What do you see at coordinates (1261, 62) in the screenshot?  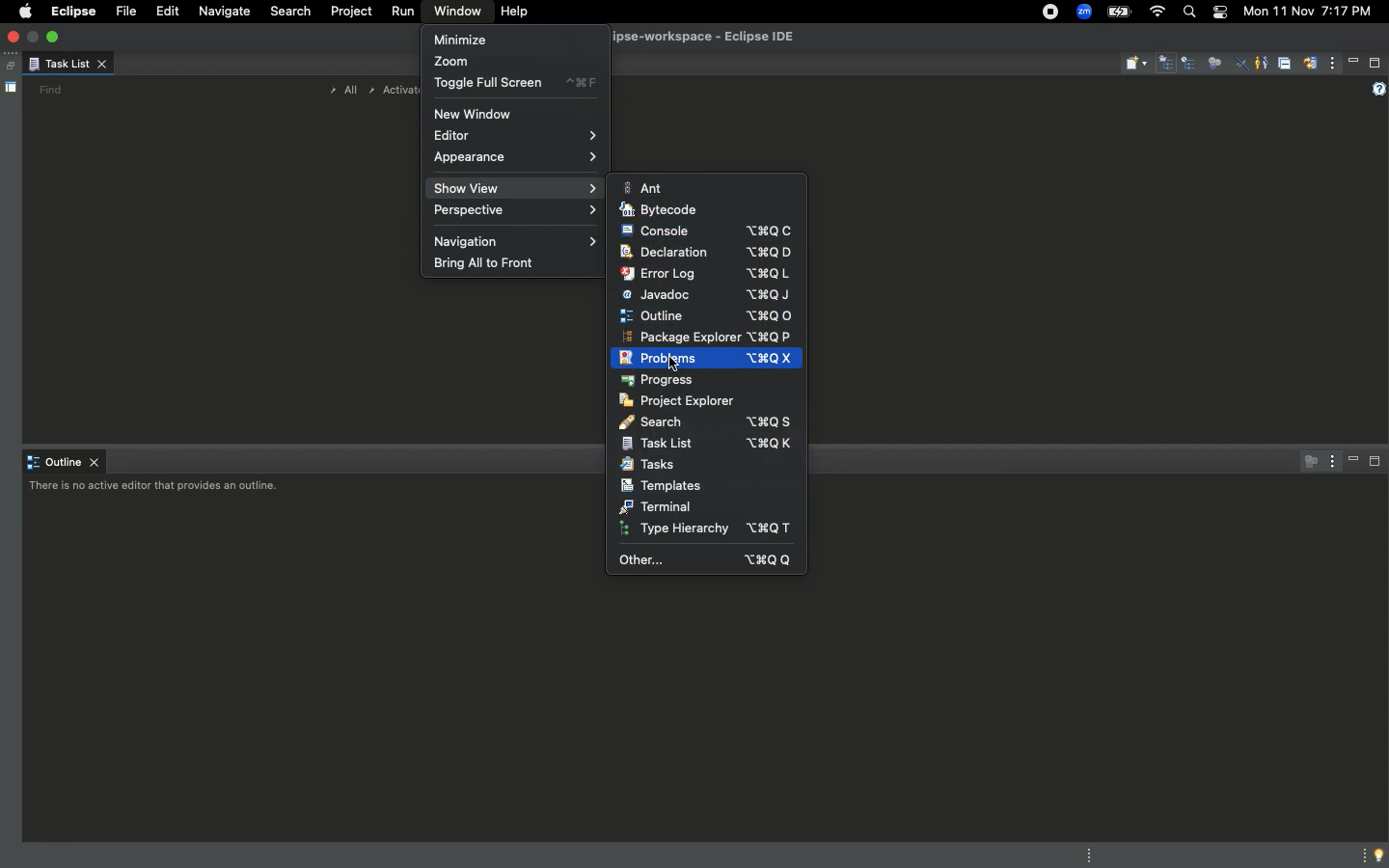 I see `Show only my tasks` at bounding box center [1261, 62].